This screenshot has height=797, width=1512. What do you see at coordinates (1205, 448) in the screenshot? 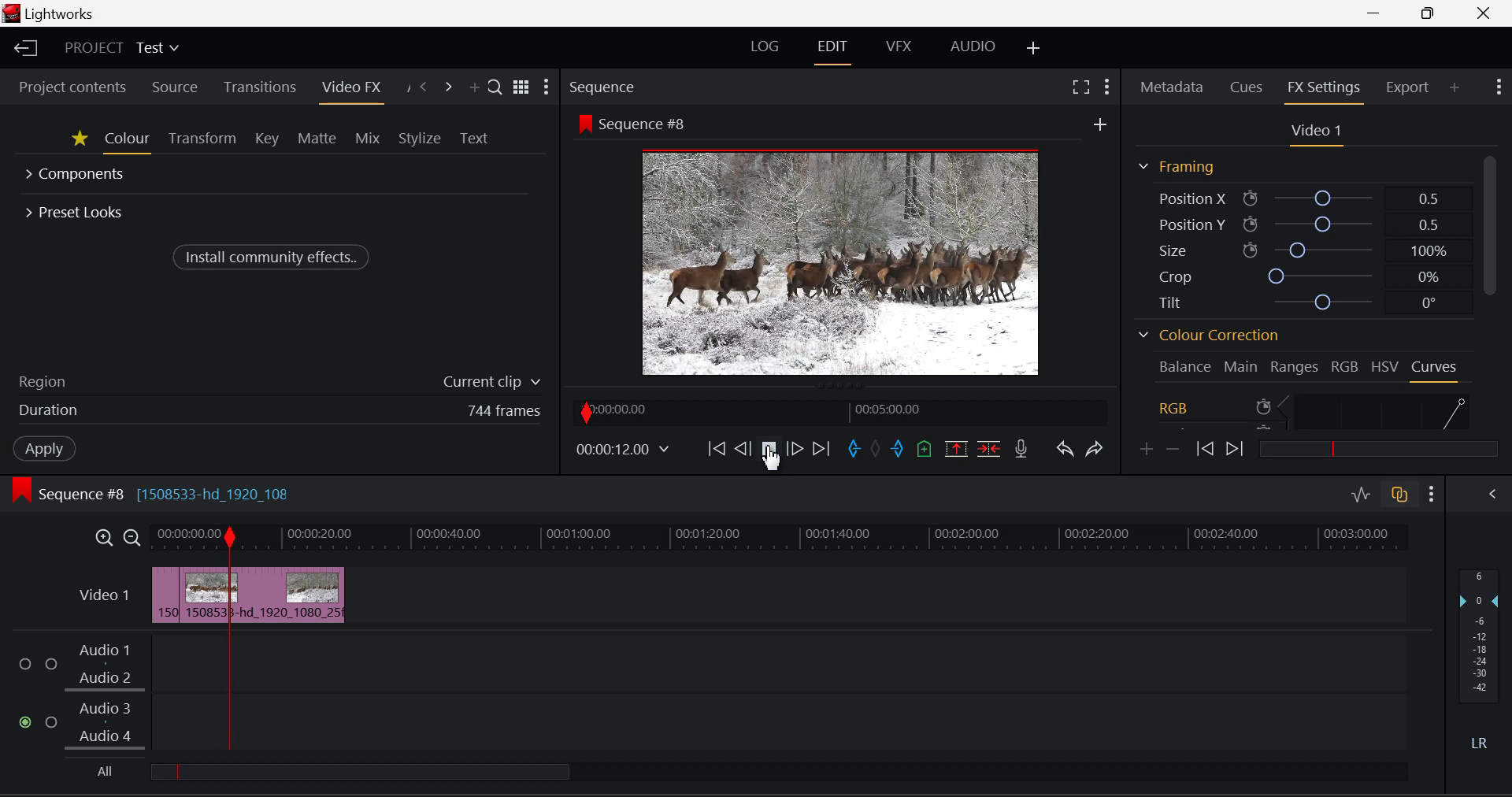
I see `Previous keyframe` at bounding box center [1205, 448].